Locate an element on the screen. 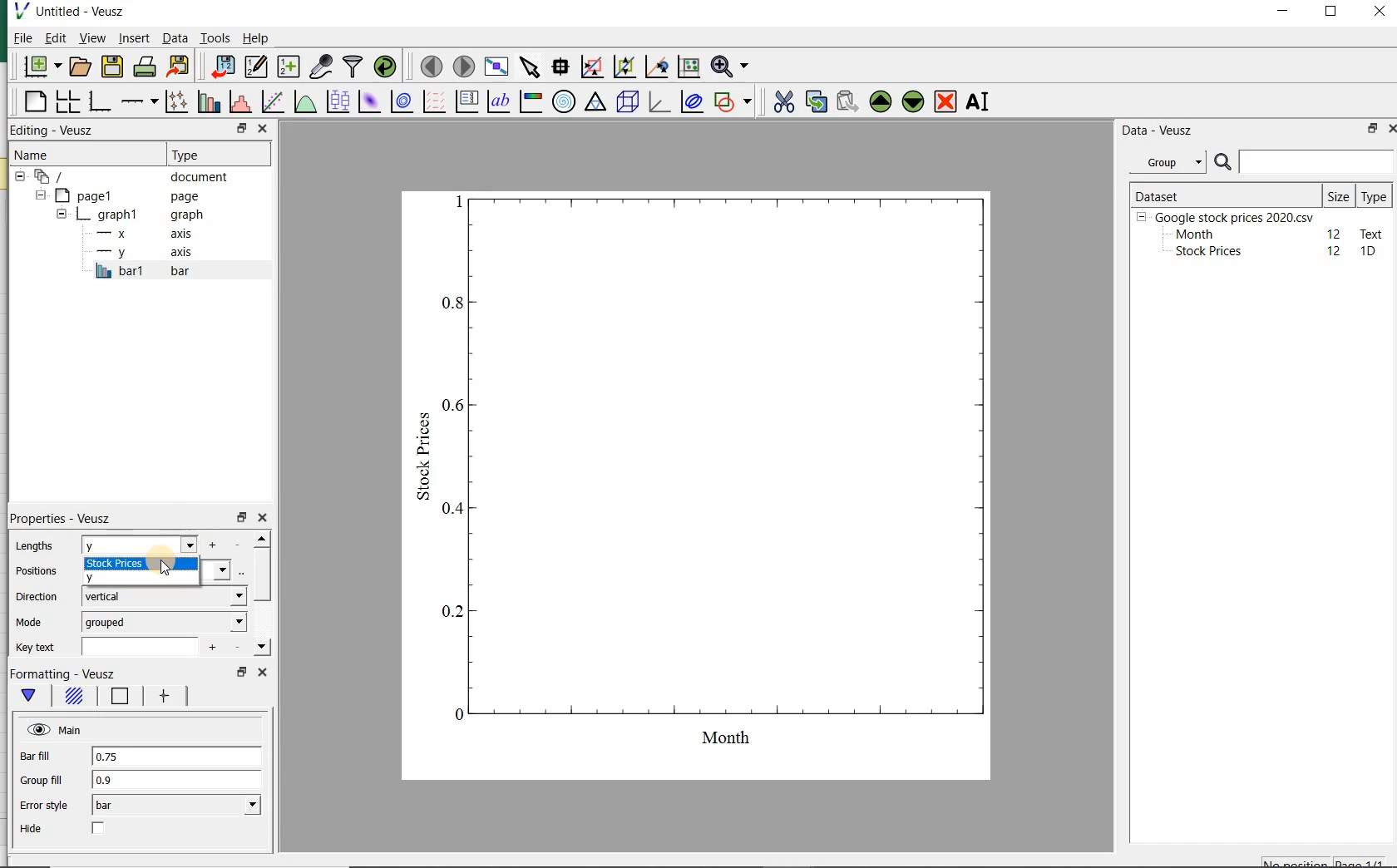 The width and height of the screenshot is (1397, 868). restore is located at coordinates (240, 672).